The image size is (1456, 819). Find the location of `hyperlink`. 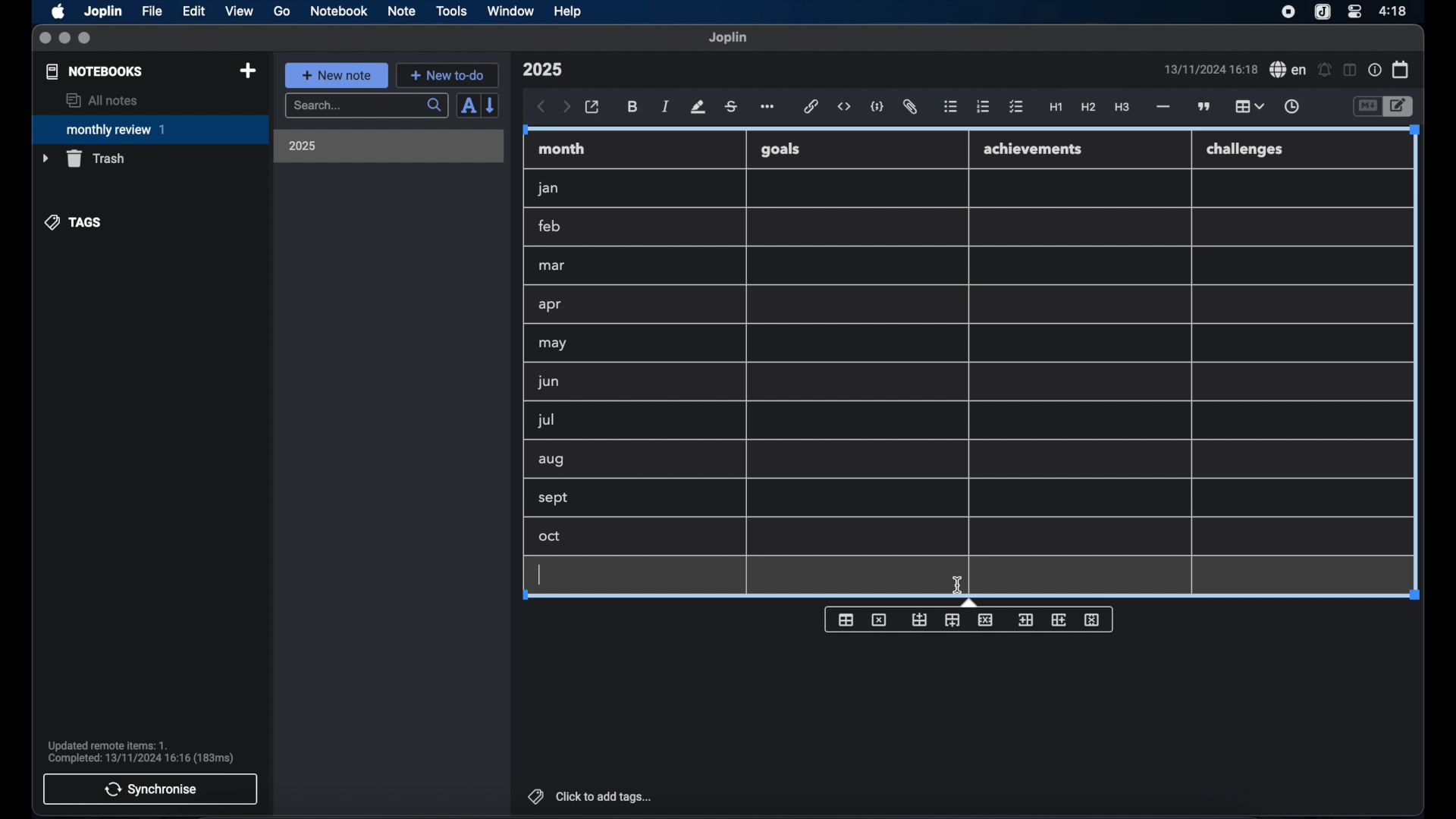

hyperlink is located at coordinates (811, 106).